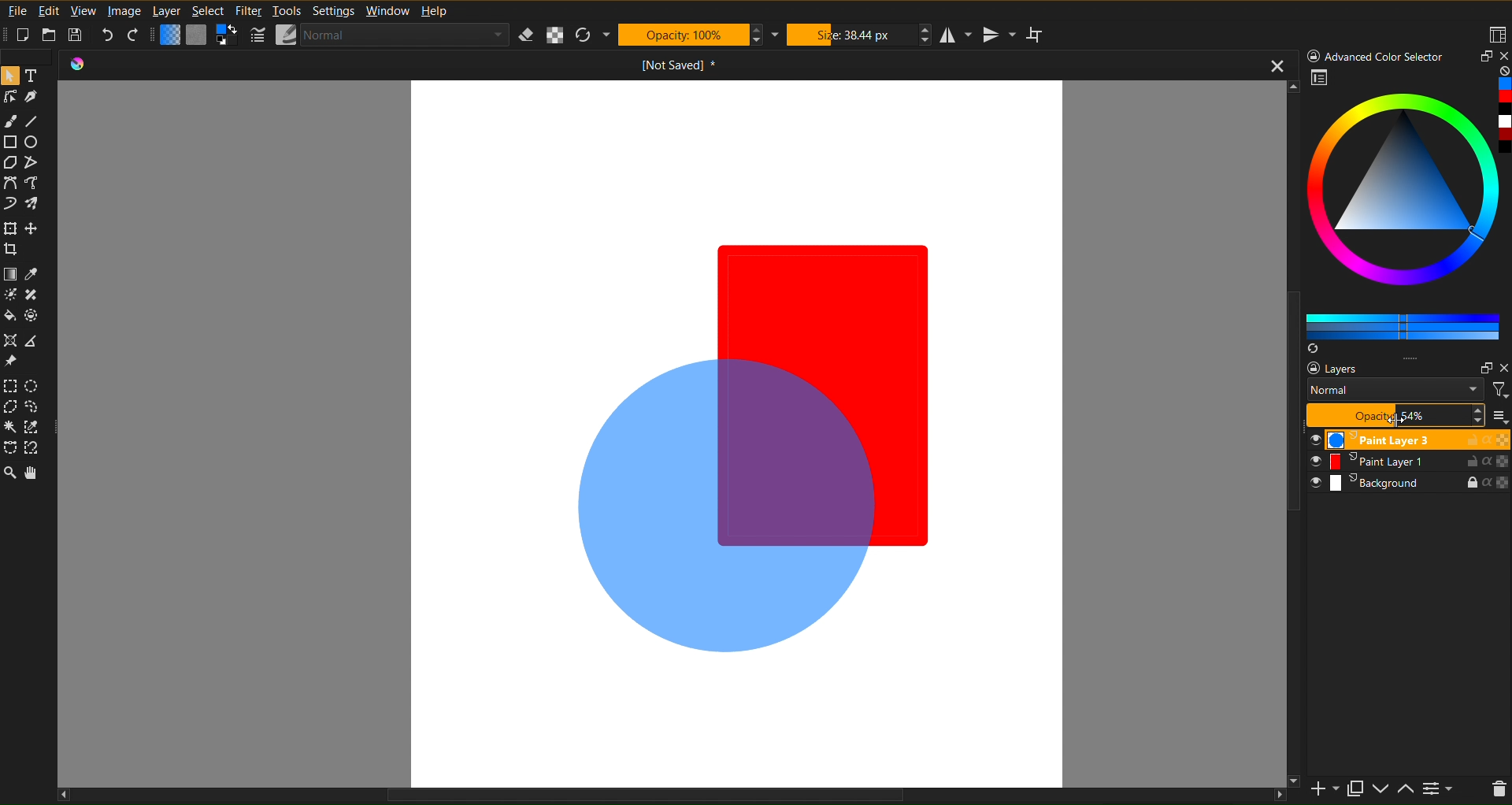 This screenshot has height=805, width=1512. What do you see at coordinates (1355, 786) in the screenshot?
I see `Maximize` at bounding box center [1355, 786].